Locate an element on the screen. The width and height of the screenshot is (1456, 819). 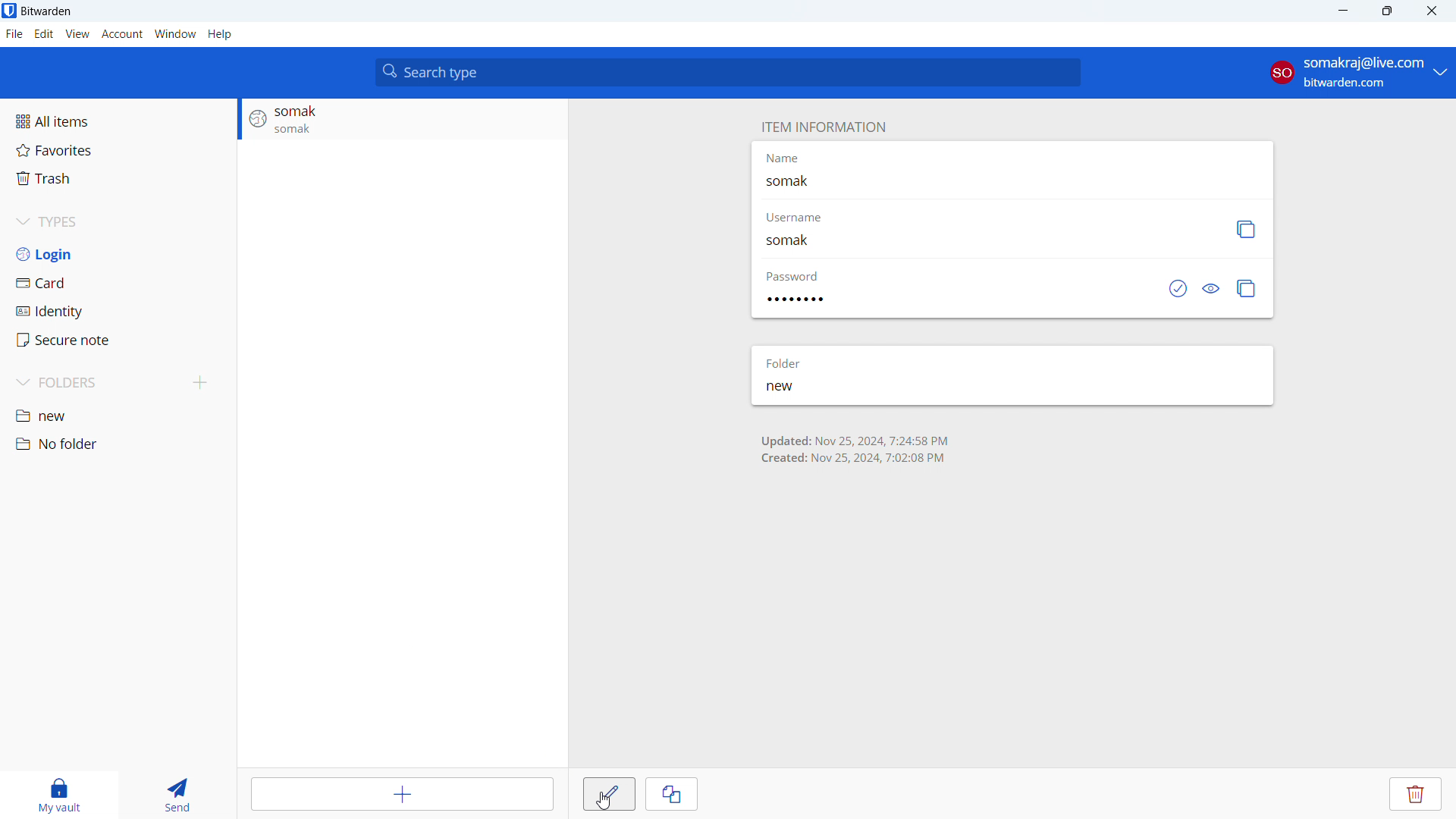
view is located at coordinates (78, 34).